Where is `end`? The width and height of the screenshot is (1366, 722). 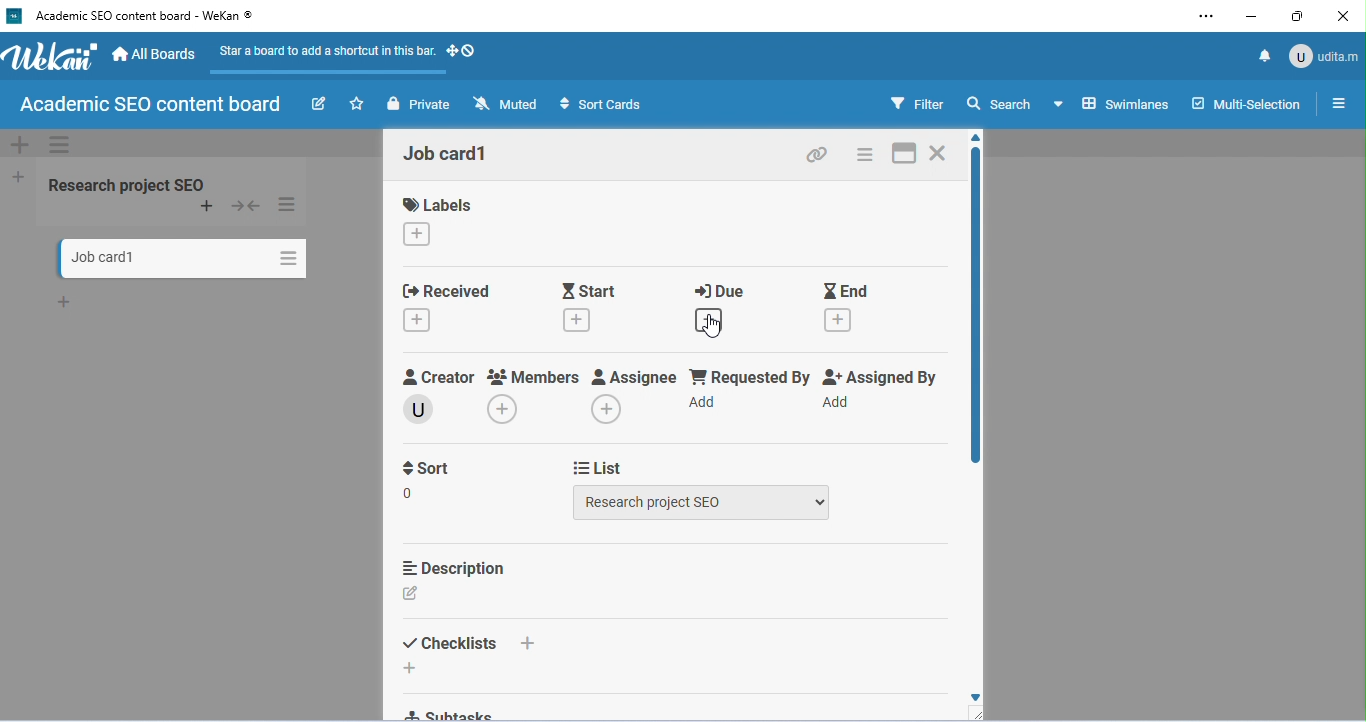
end is located at coordinates (846, 290).